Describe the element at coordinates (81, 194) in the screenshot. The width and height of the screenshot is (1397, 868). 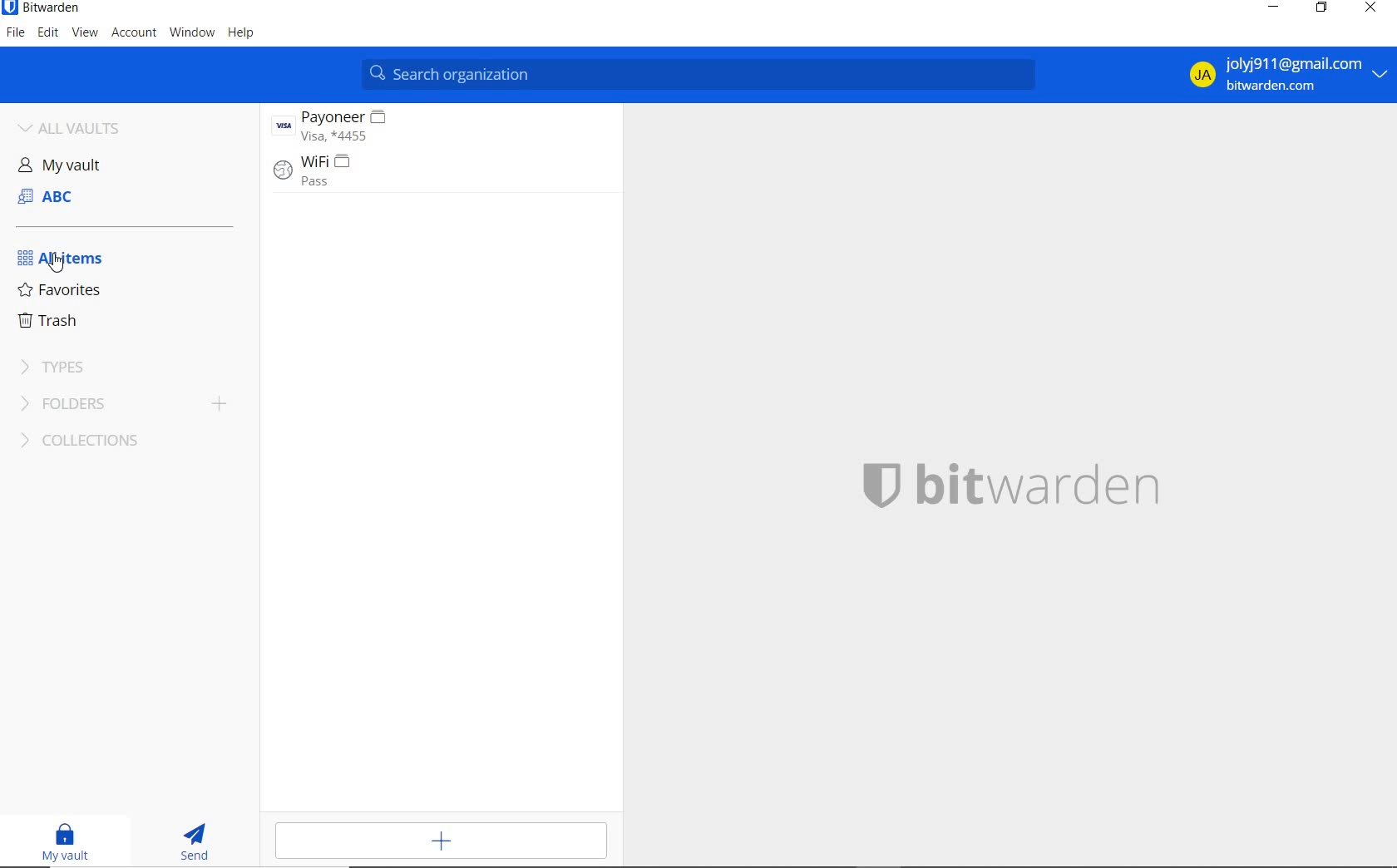
I see `SHARED VAULT: ABC` at that location.